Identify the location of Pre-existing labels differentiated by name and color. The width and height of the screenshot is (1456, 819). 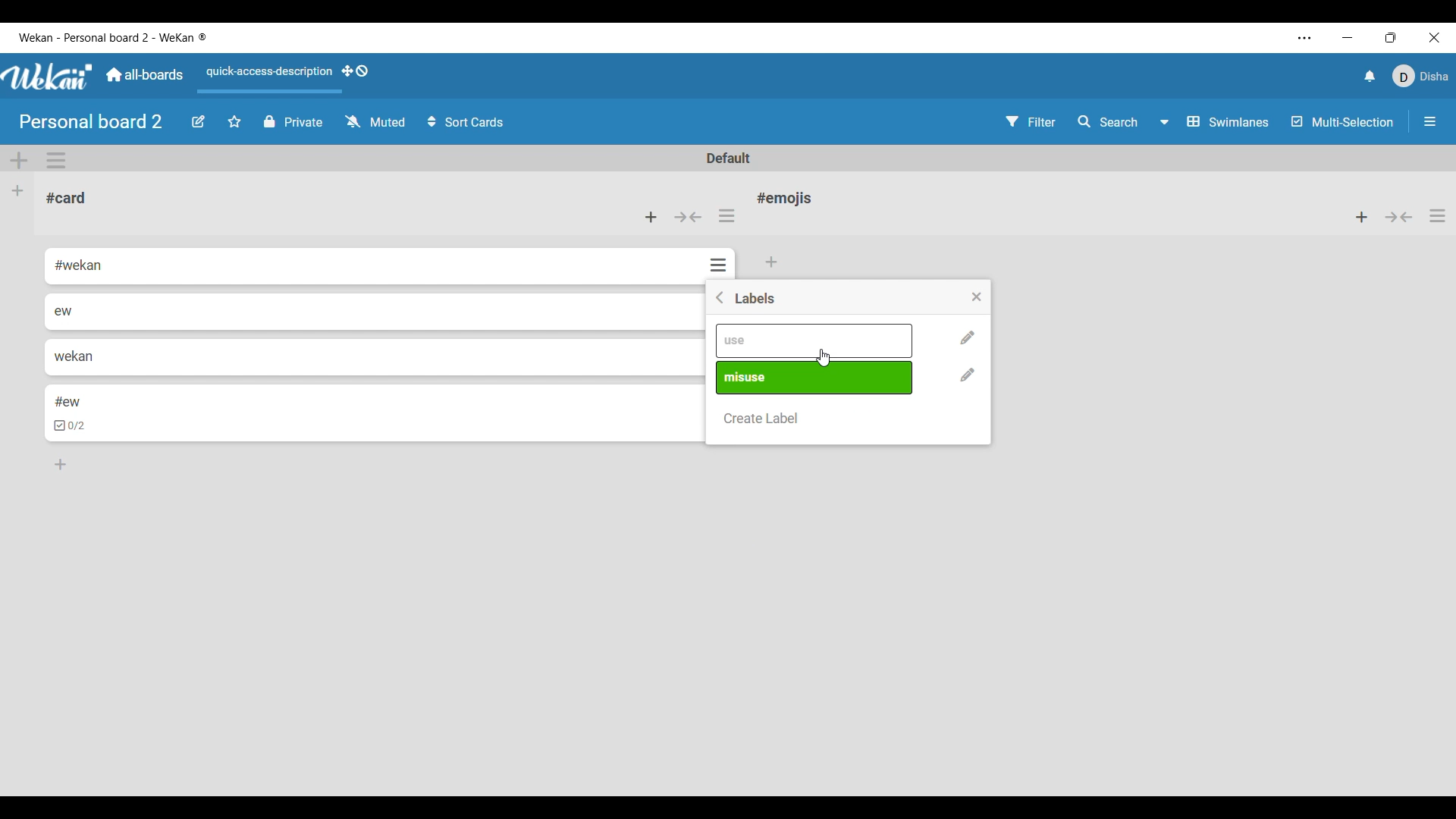
(815, 340).